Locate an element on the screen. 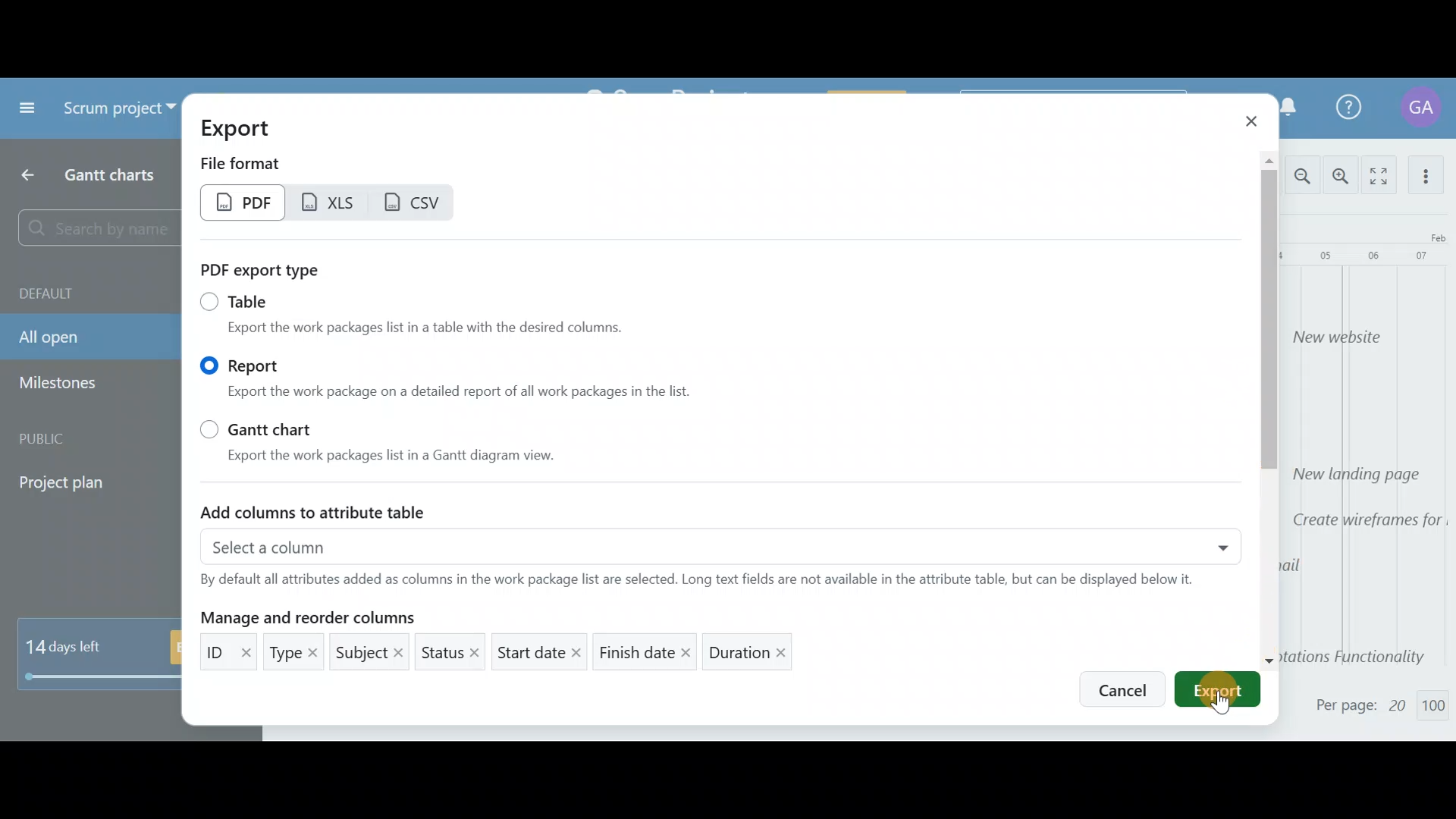 This screenshot has width=1456, height=819. Search by name is located at coordinates (97, 226).